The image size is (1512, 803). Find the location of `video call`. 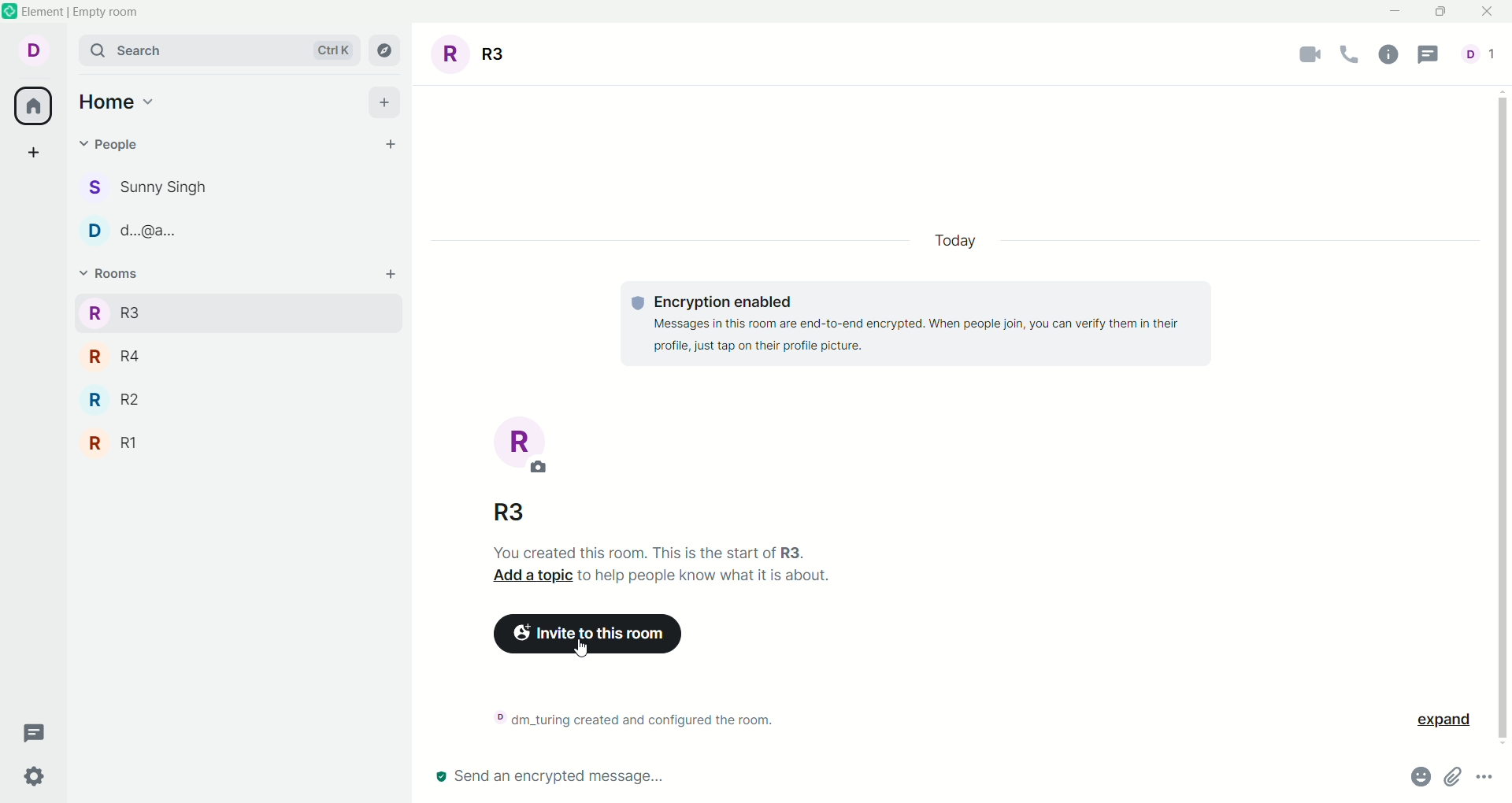

video call is located at coordinates (1302, 57).